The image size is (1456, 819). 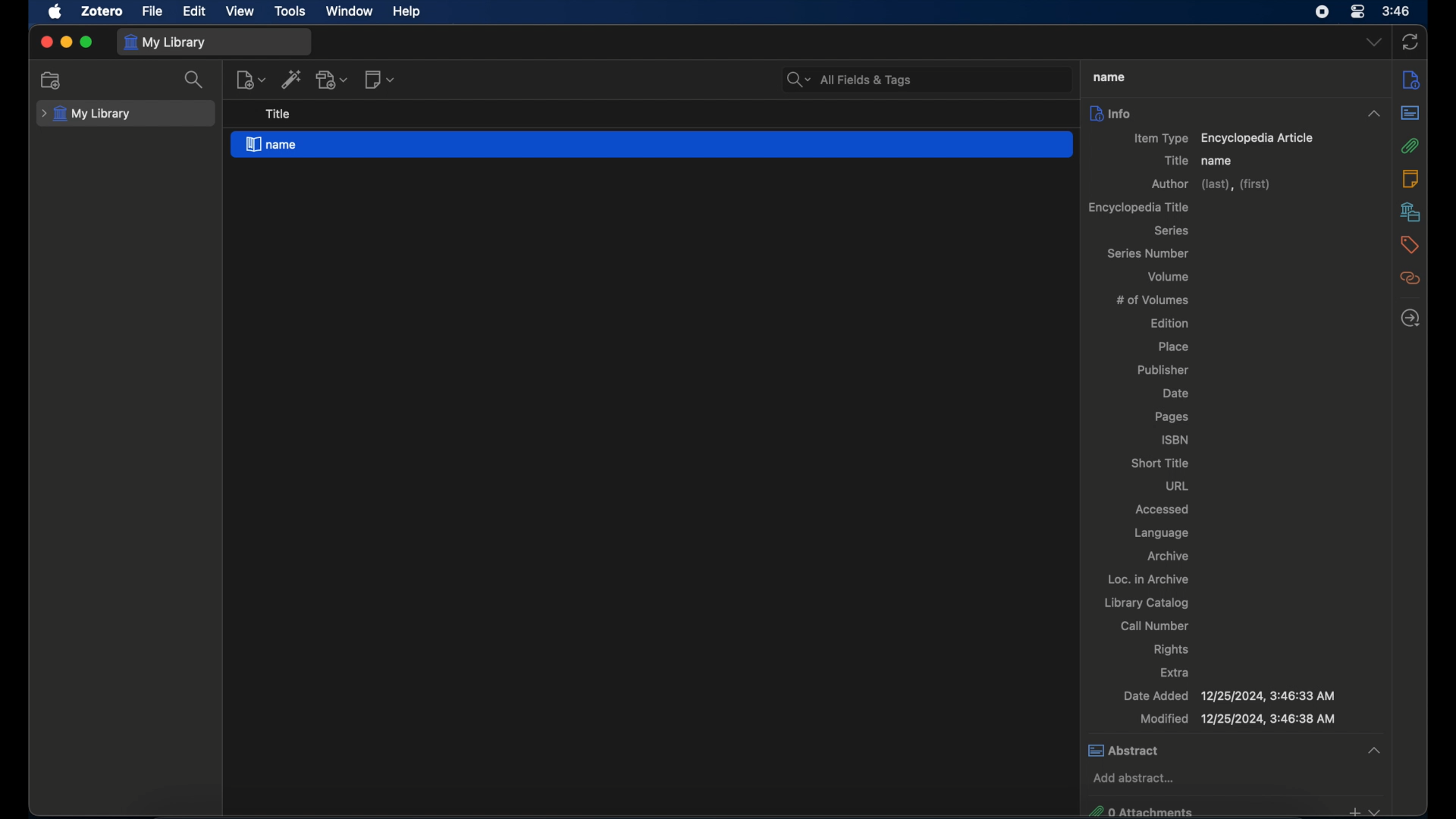 What do you see at coordinates (1234, 749) in the screenshot?
I see `abstract` at bounding box center [1234, 749].